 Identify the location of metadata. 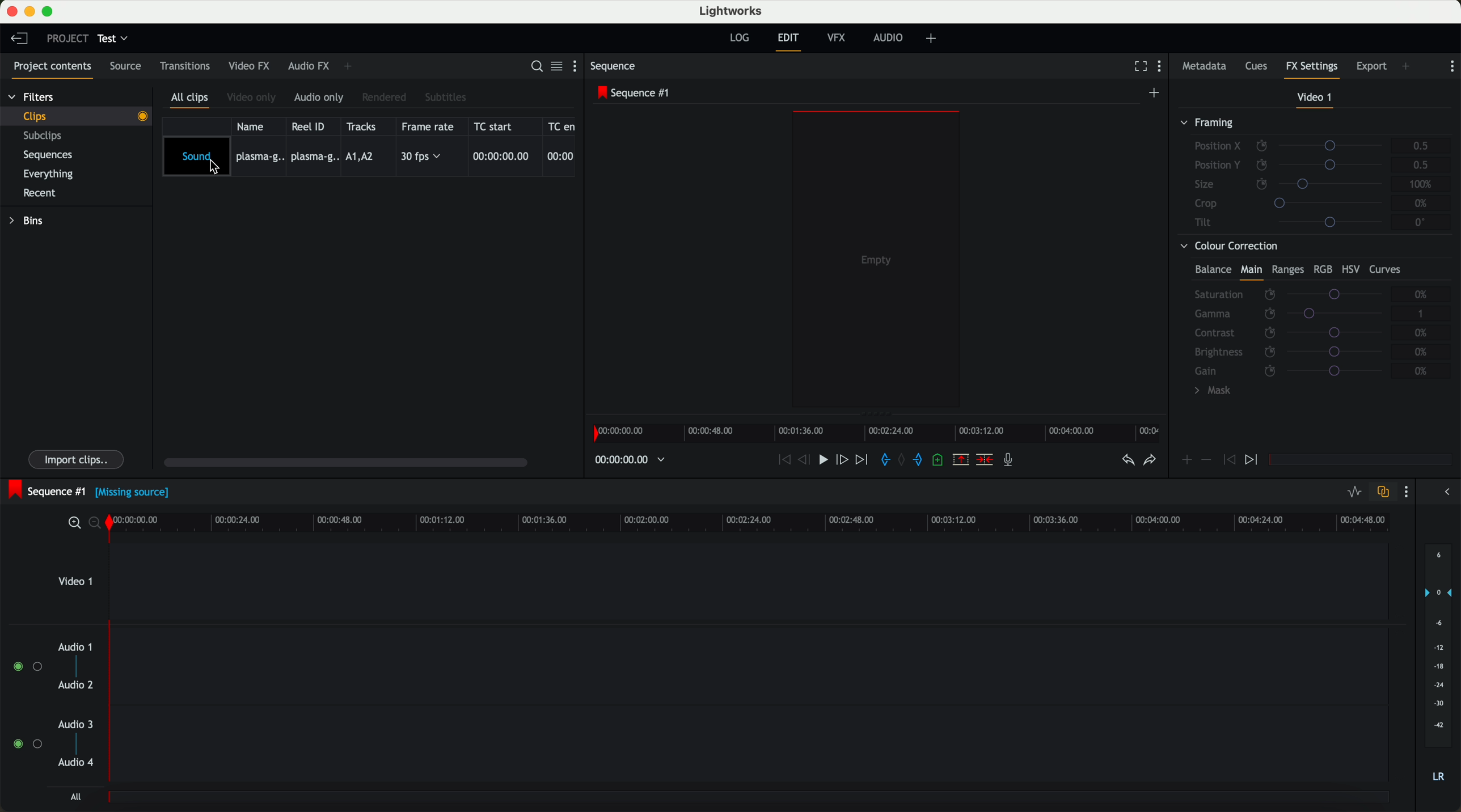
(1204, 67).